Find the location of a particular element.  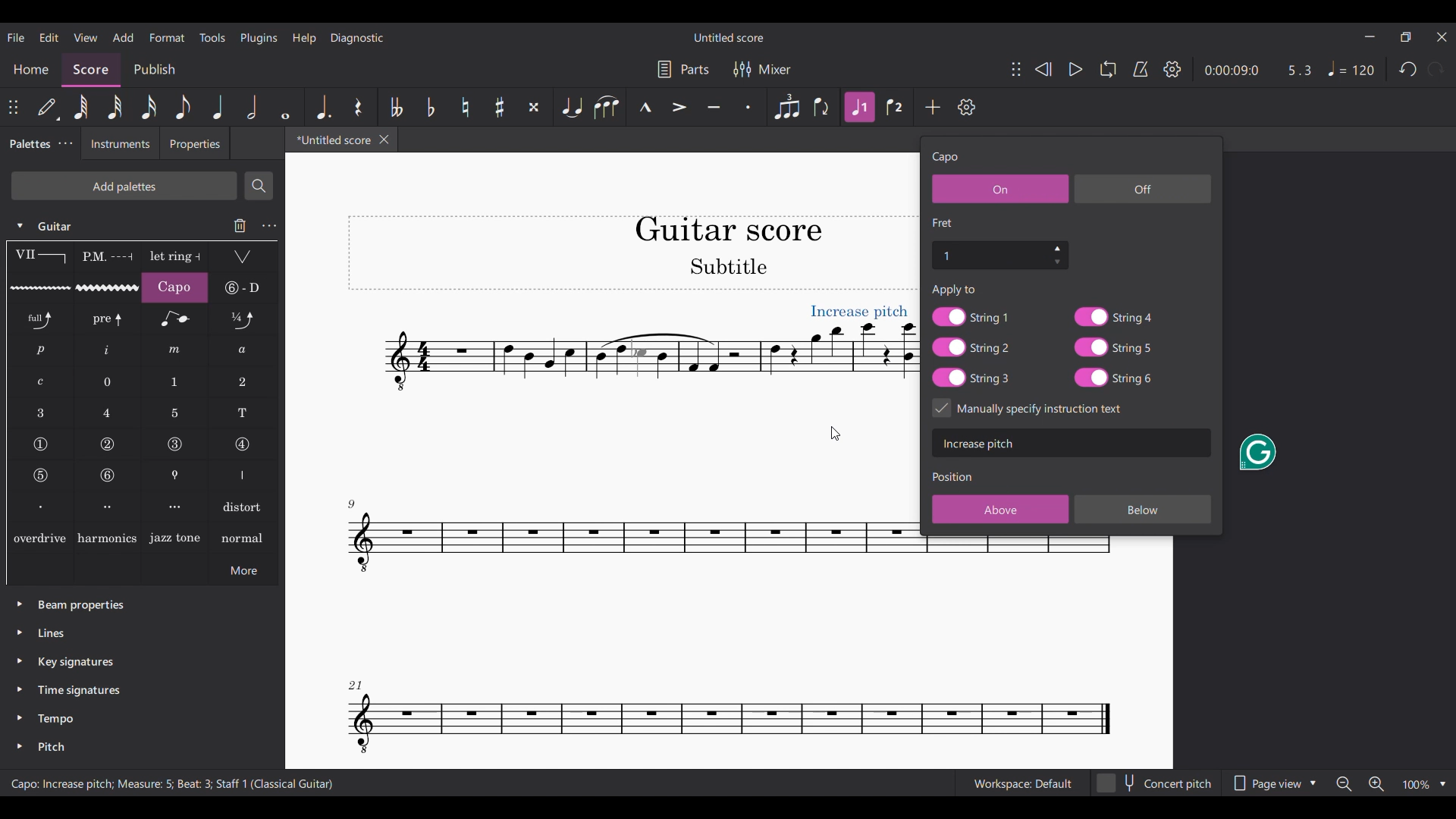

RH guitar fingering i is located at coordinates (108, 351).